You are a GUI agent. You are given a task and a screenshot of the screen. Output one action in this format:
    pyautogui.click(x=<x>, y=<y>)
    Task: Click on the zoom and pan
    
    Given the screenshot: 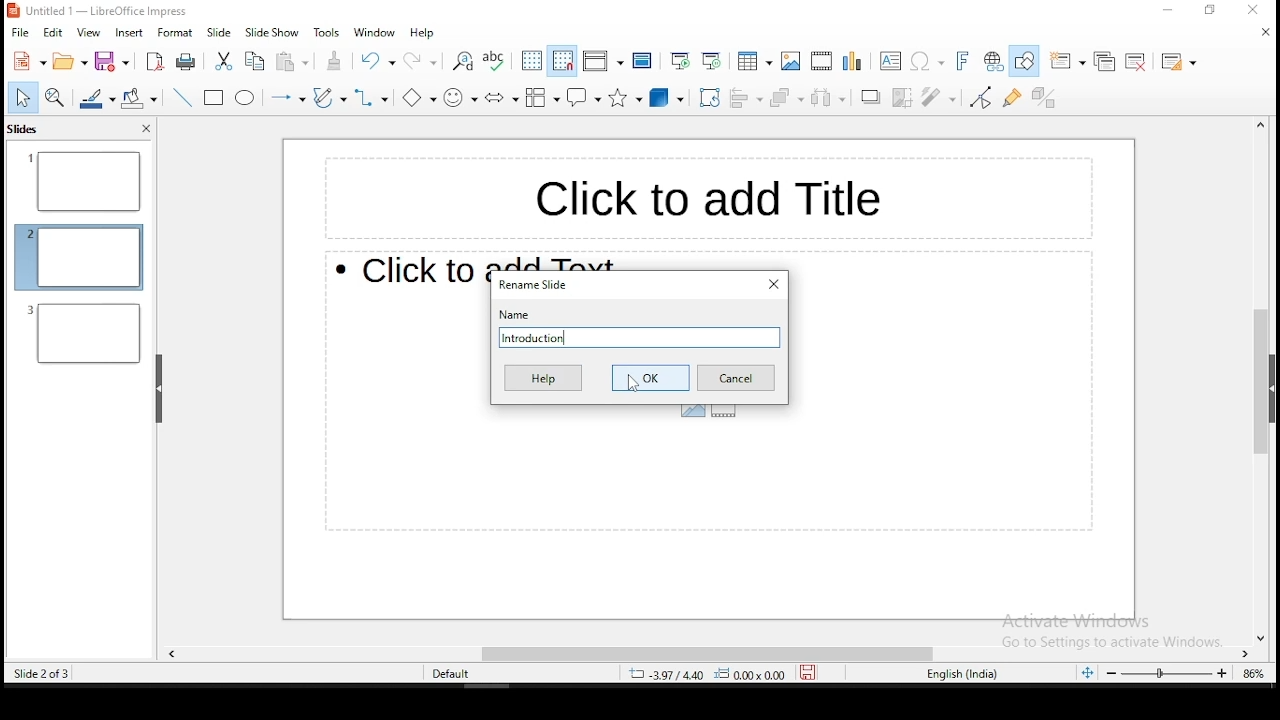 What is the action you would take?
    pyautogui.click(x=55, y=97)
    